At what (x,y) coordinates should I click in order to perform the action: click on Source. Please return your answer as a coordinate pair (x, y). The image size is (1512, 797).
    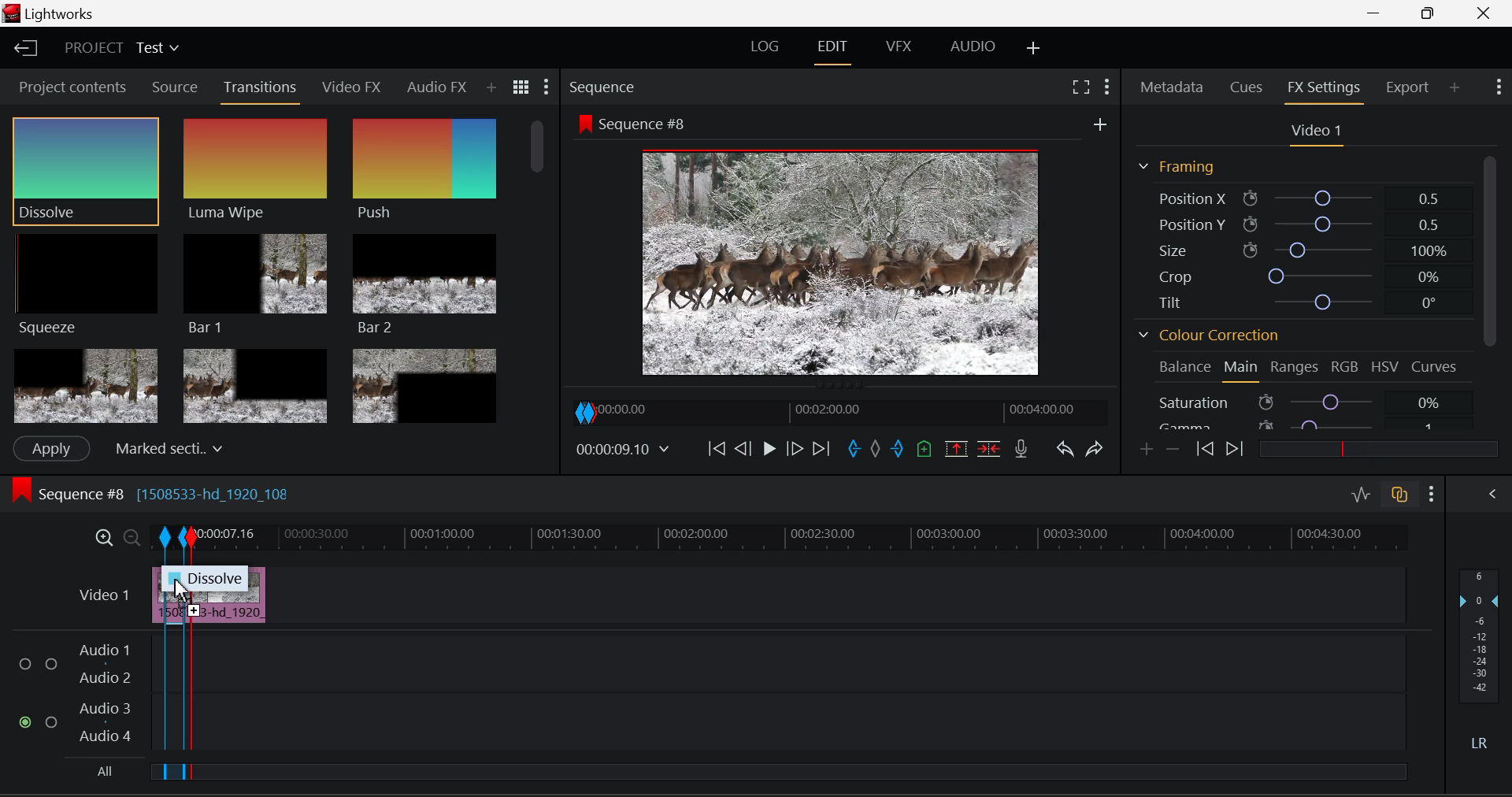
    Looking at the image, I should click on (176, 87).